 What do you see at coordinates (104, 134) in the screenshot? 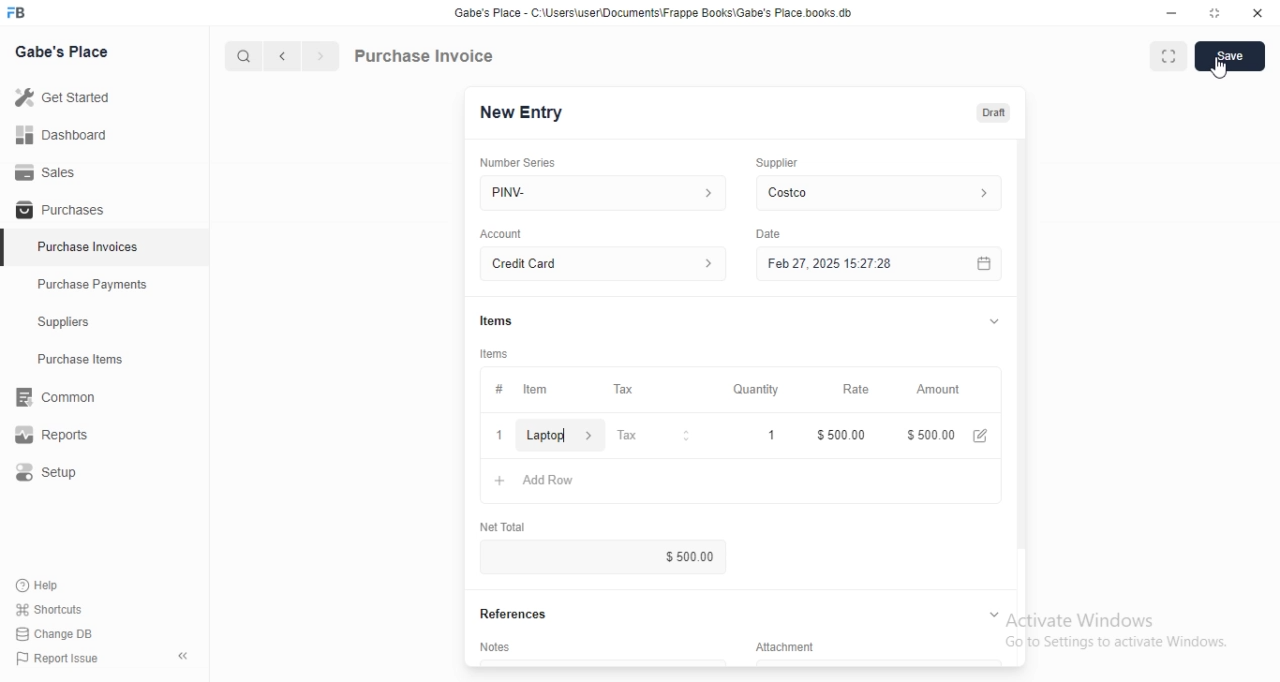
I see `Dashboard` at bounding box center [104, 134].